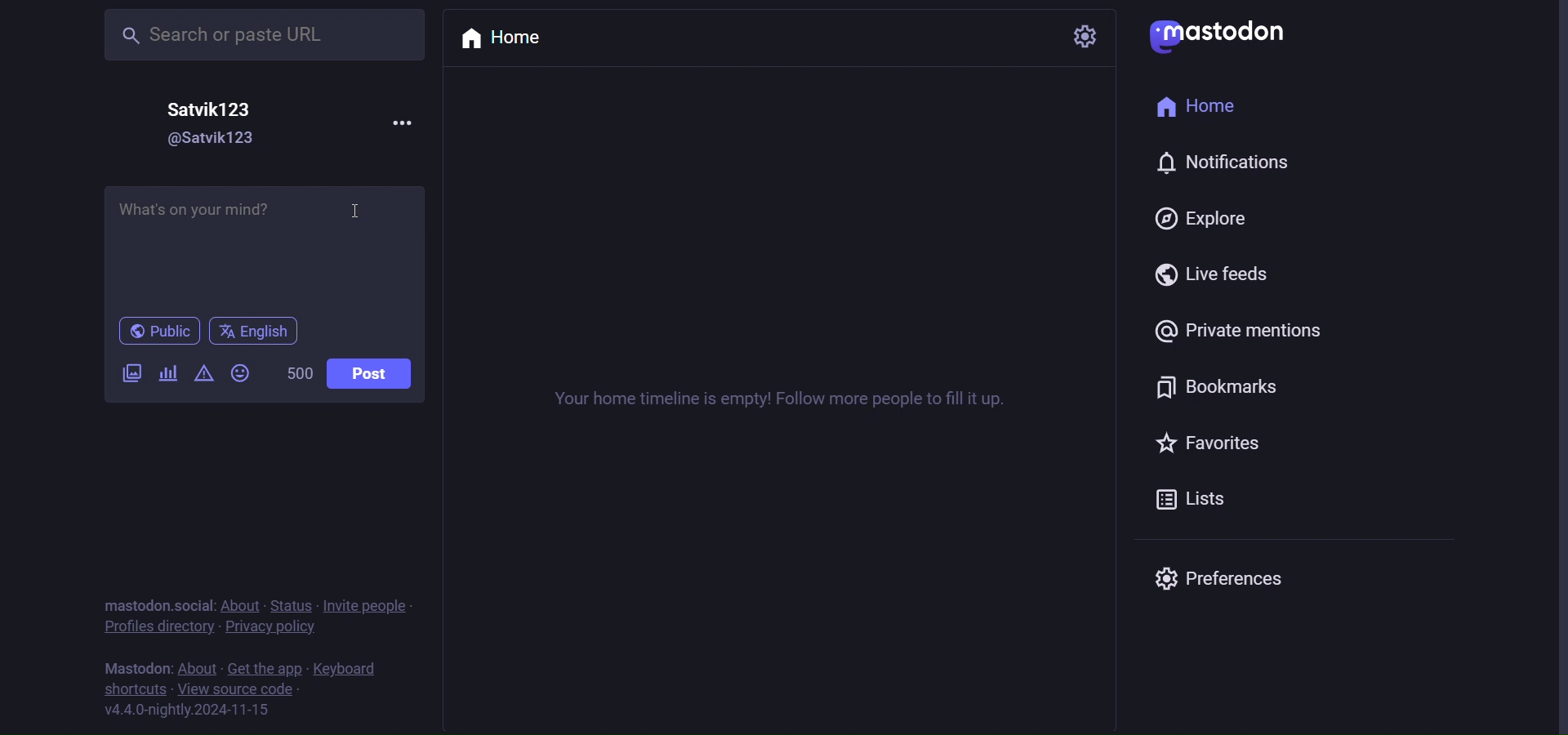 This screenshot has width=1568, height=735. I want to click on more, so click(393, 121).